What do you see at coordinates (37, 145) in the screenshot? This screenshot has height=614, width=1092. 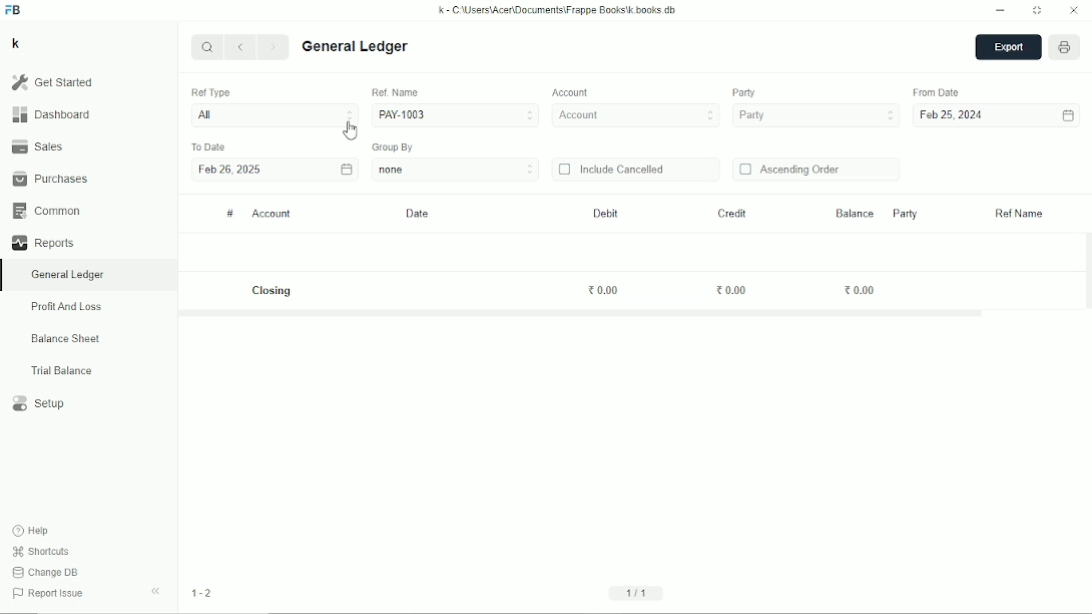 I see `Sales` at bounding box center [37, 145].